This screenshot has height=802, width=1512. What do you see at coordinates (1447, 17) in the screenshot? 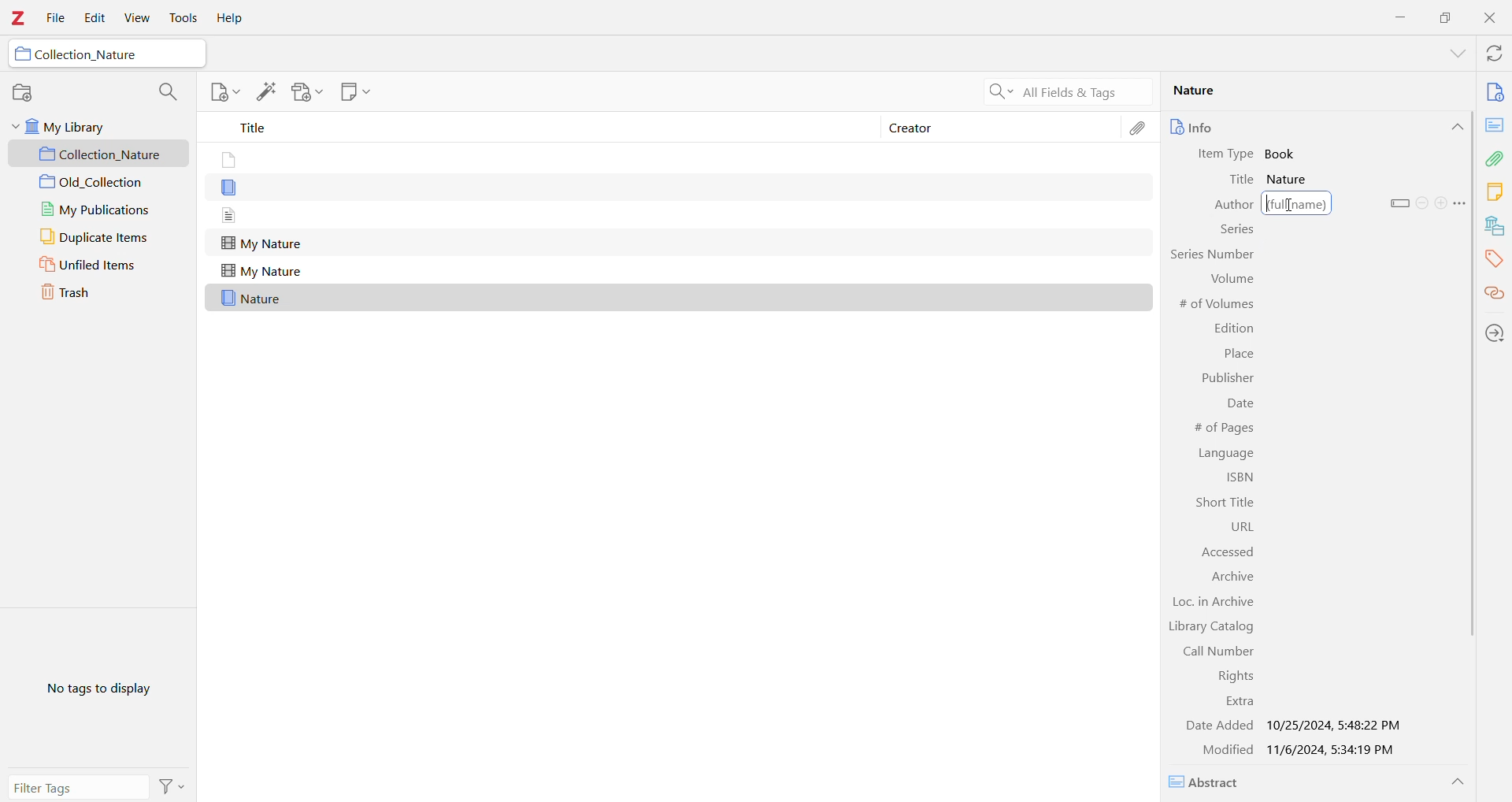
I see `Restore Down` at bounding box center [1447, 17].